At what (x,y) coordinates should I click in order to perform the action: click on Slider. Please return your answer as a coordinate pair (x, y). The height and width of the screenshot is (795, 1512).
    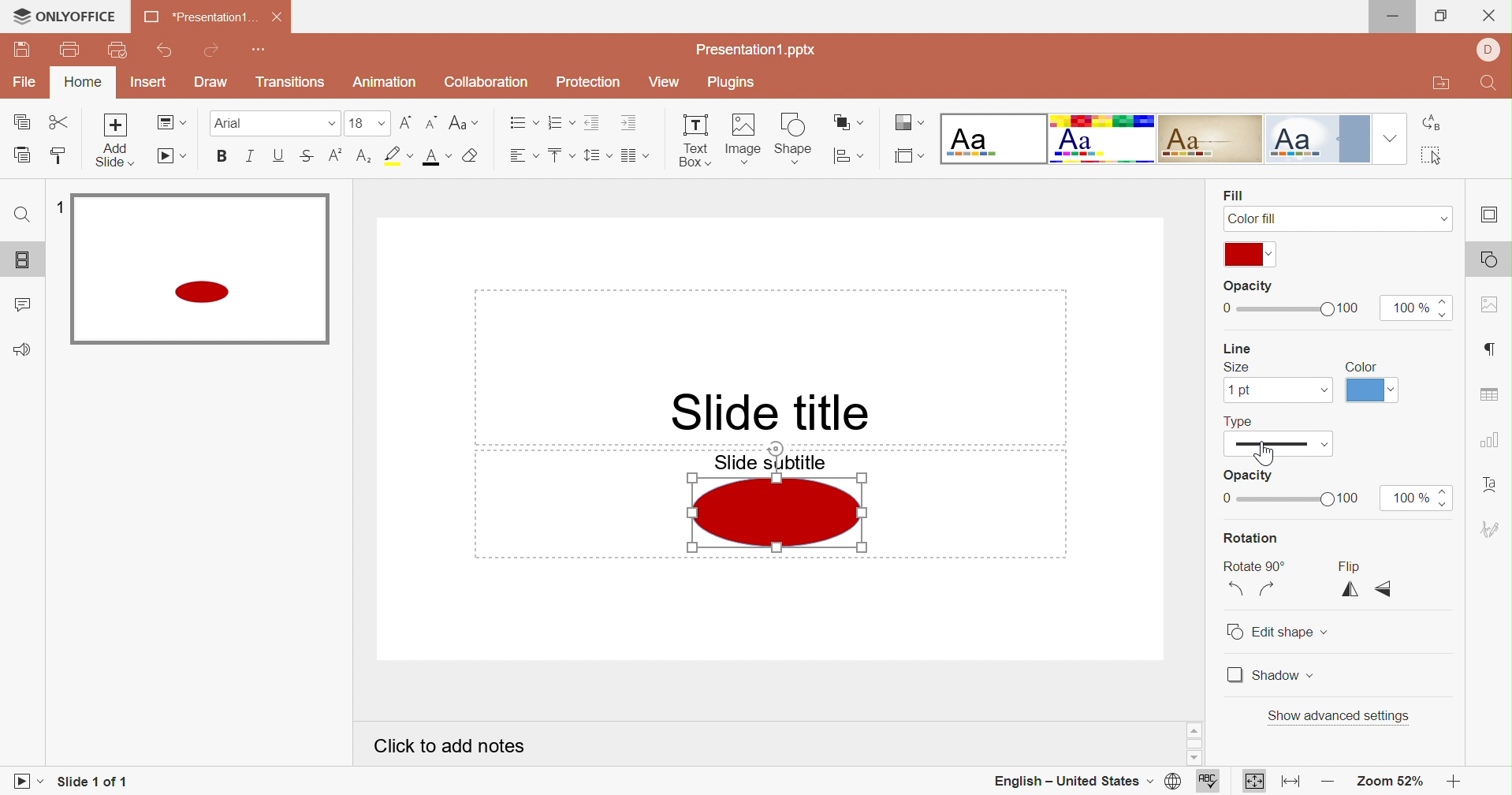
    Looking at the image, I should click on (1285, 500).